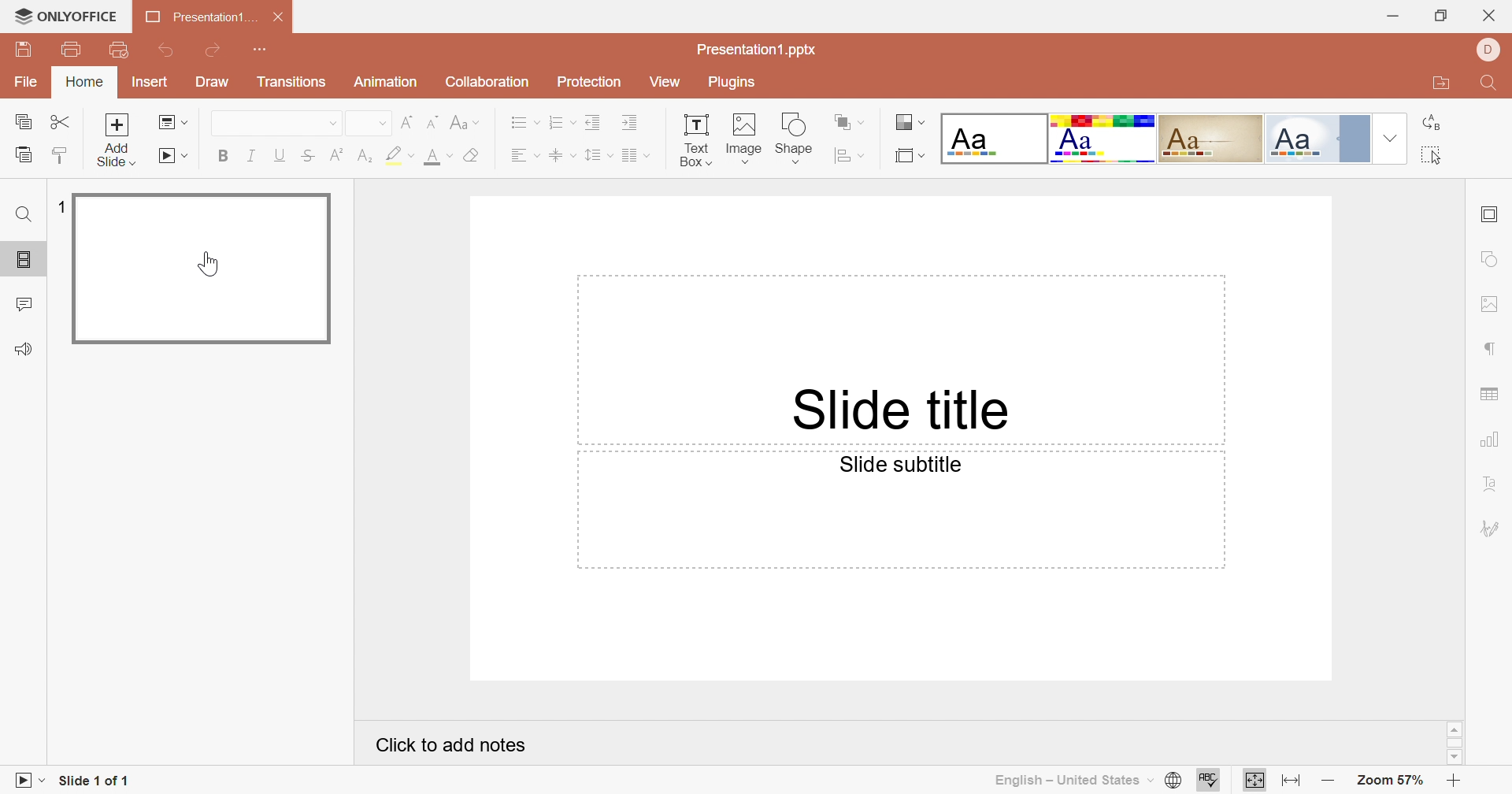  Describe the element at coordinates (1435, 157) in the screenshot. I see `Select all` at that location.